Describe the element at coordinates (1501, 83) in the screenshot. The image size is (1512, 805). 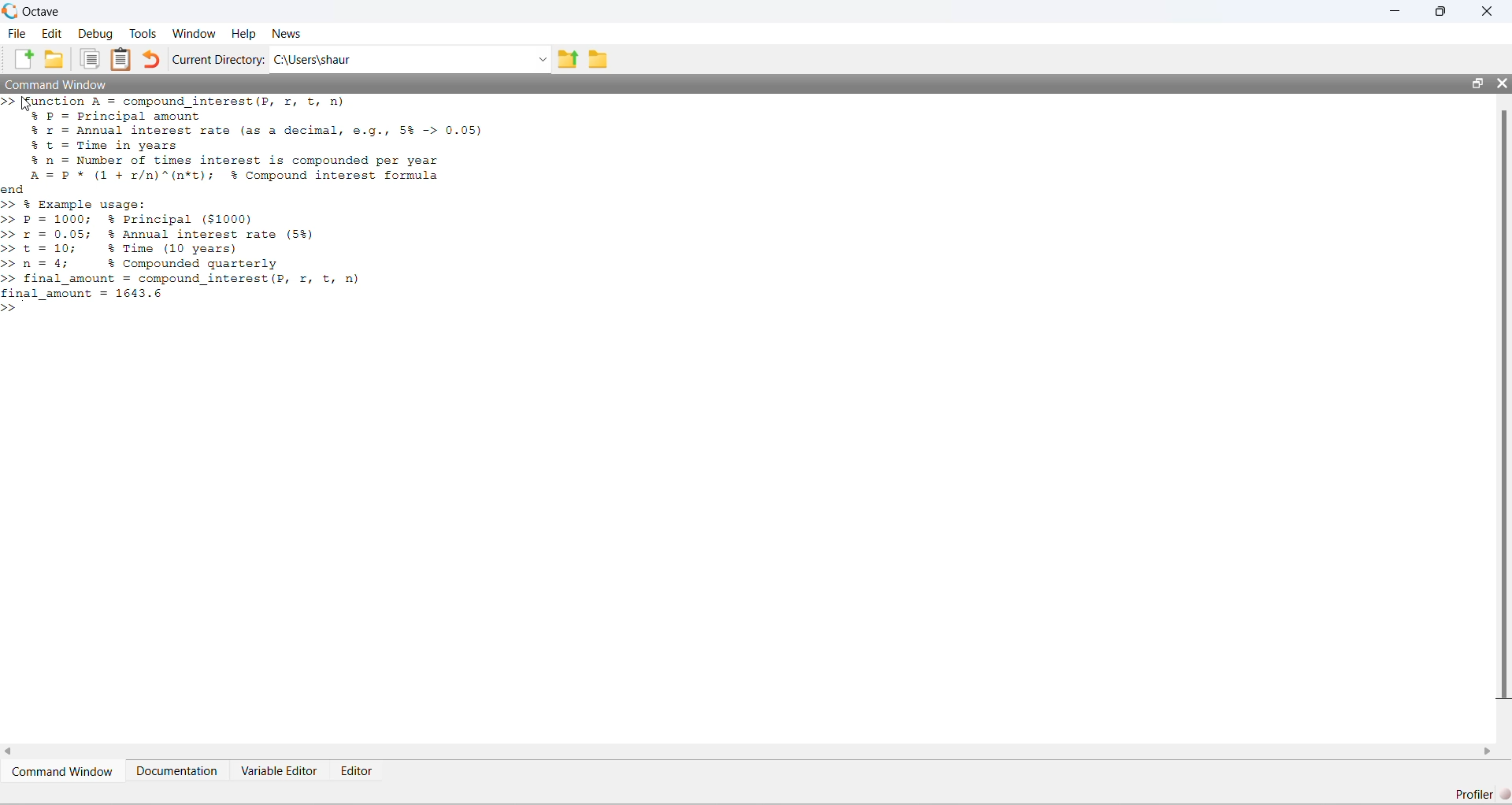
I see `Close` at that location.